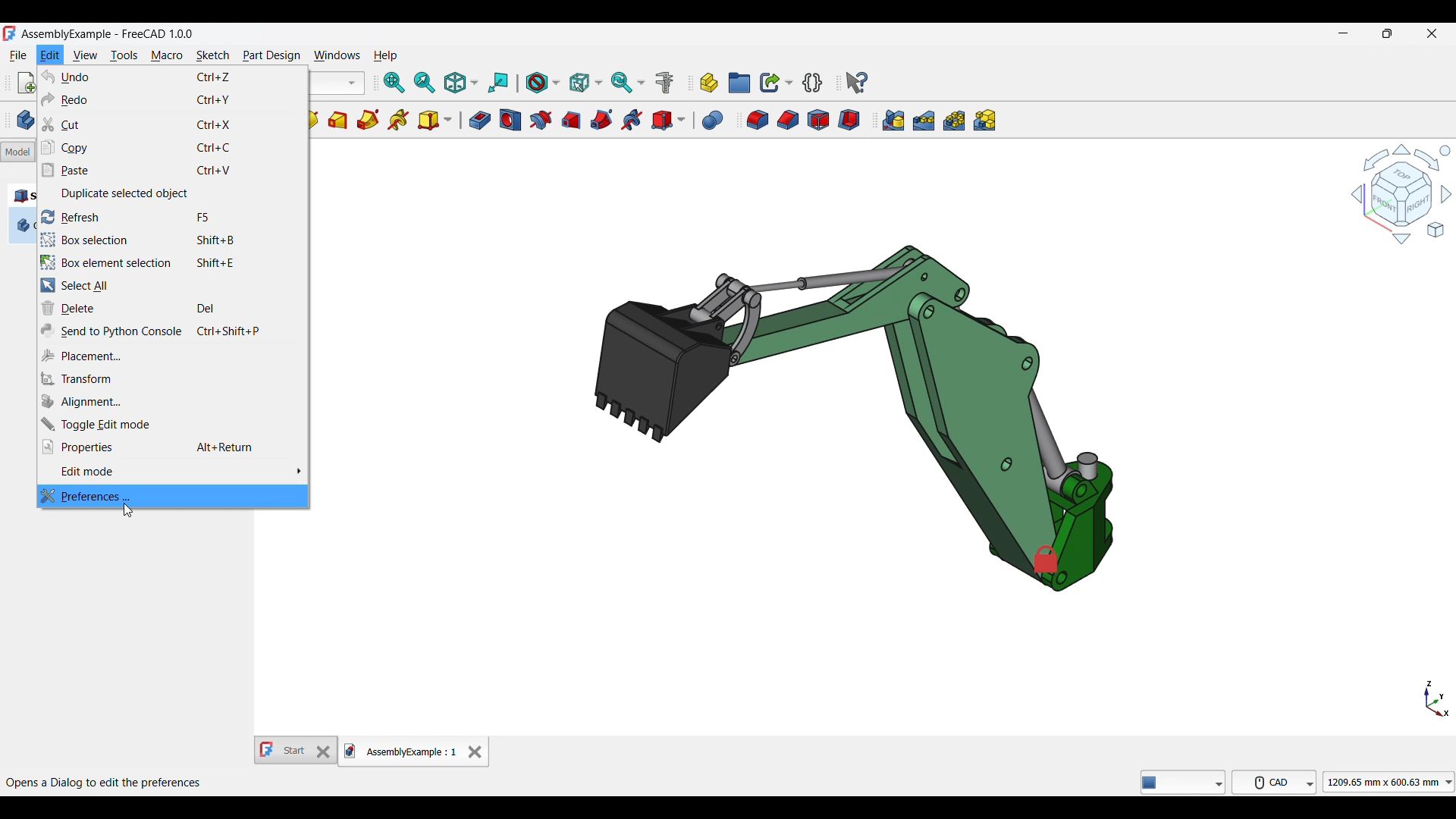 The height and width of the screenshot is (819, 1456). I want to click on Preferences, highlighted, so click(173, 494).